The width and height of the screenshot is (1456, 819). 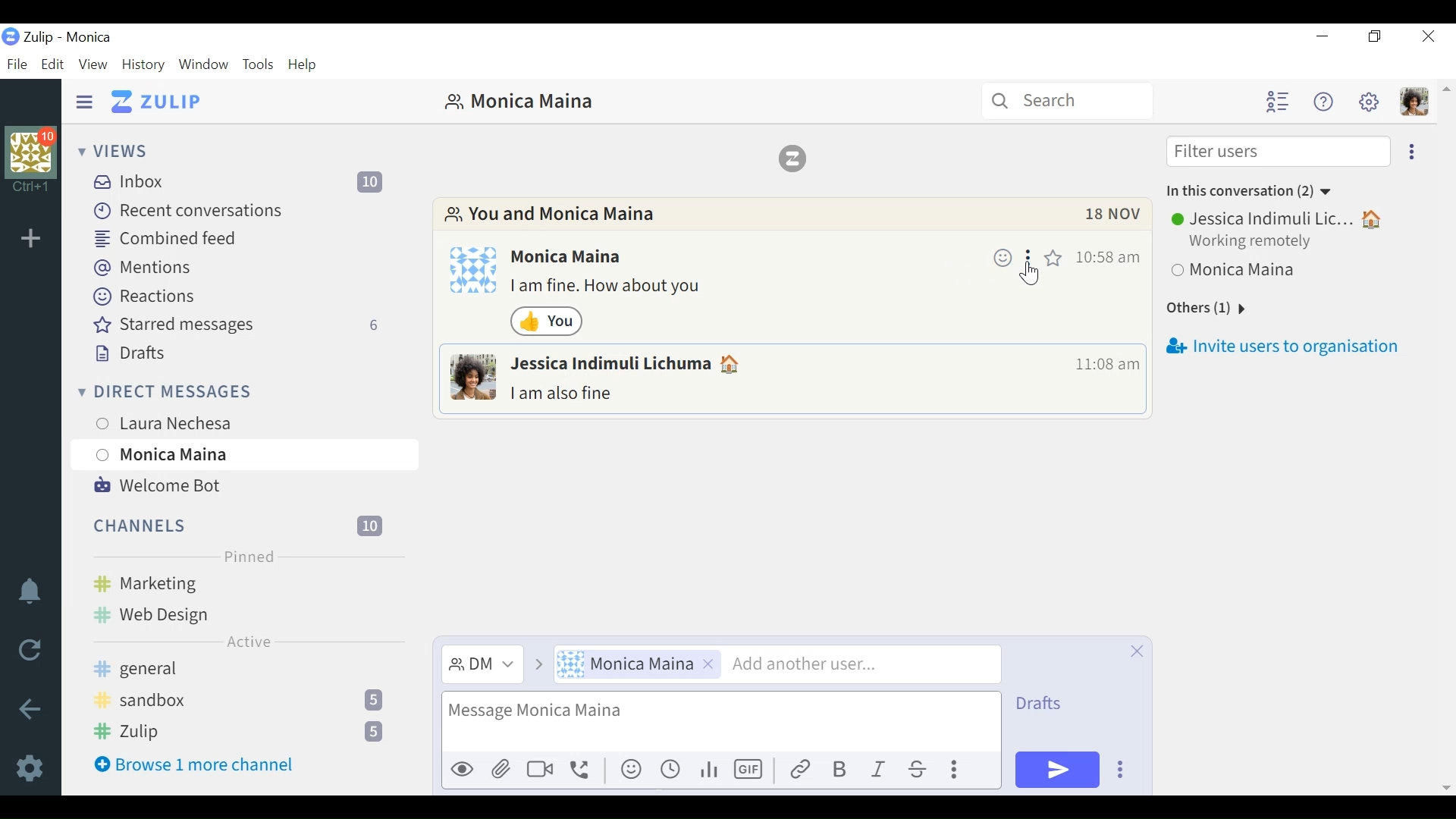 I want to click on recents, so click(x=673, y=769).